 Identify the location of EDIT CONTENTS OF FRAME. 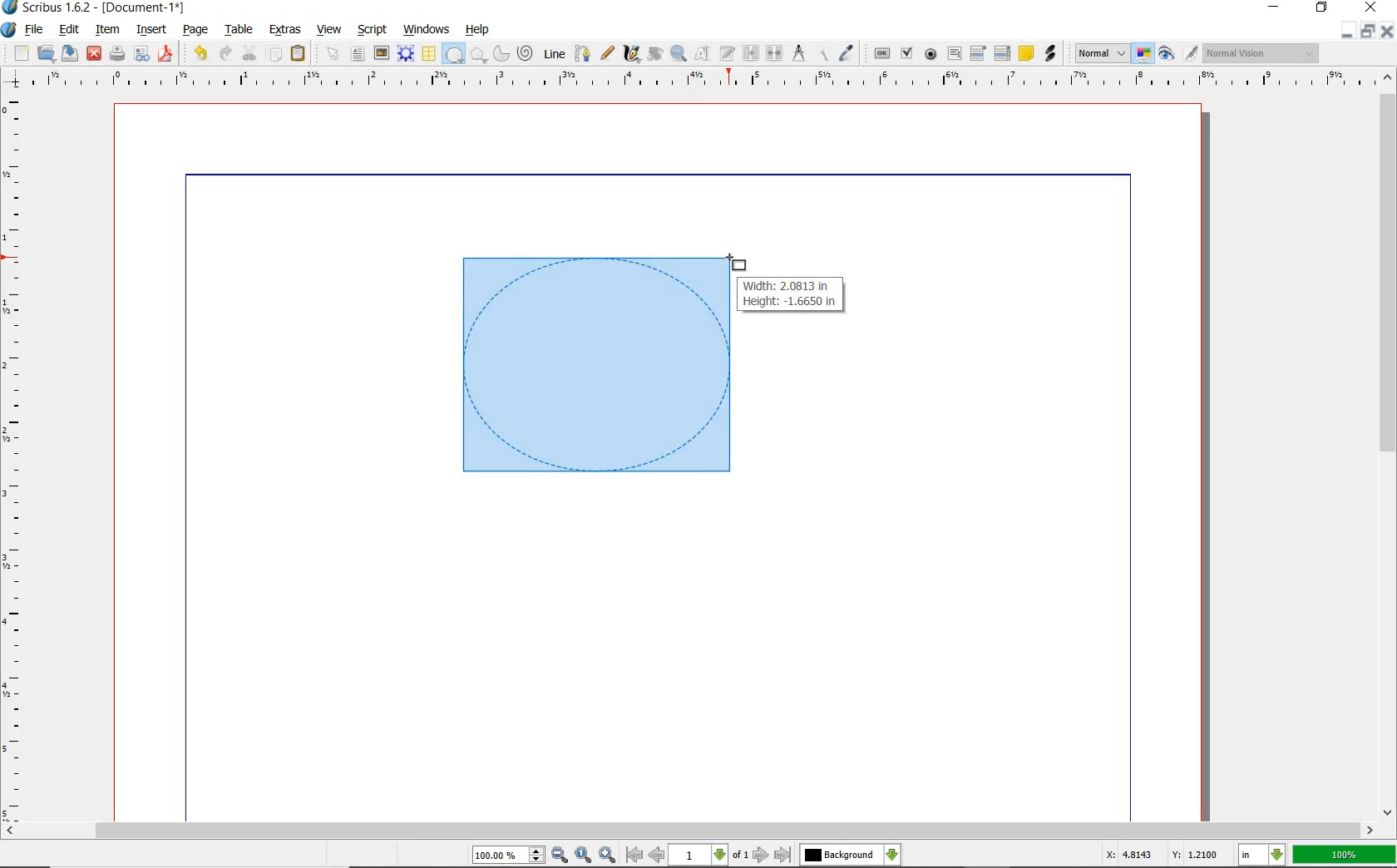
(702, 52).